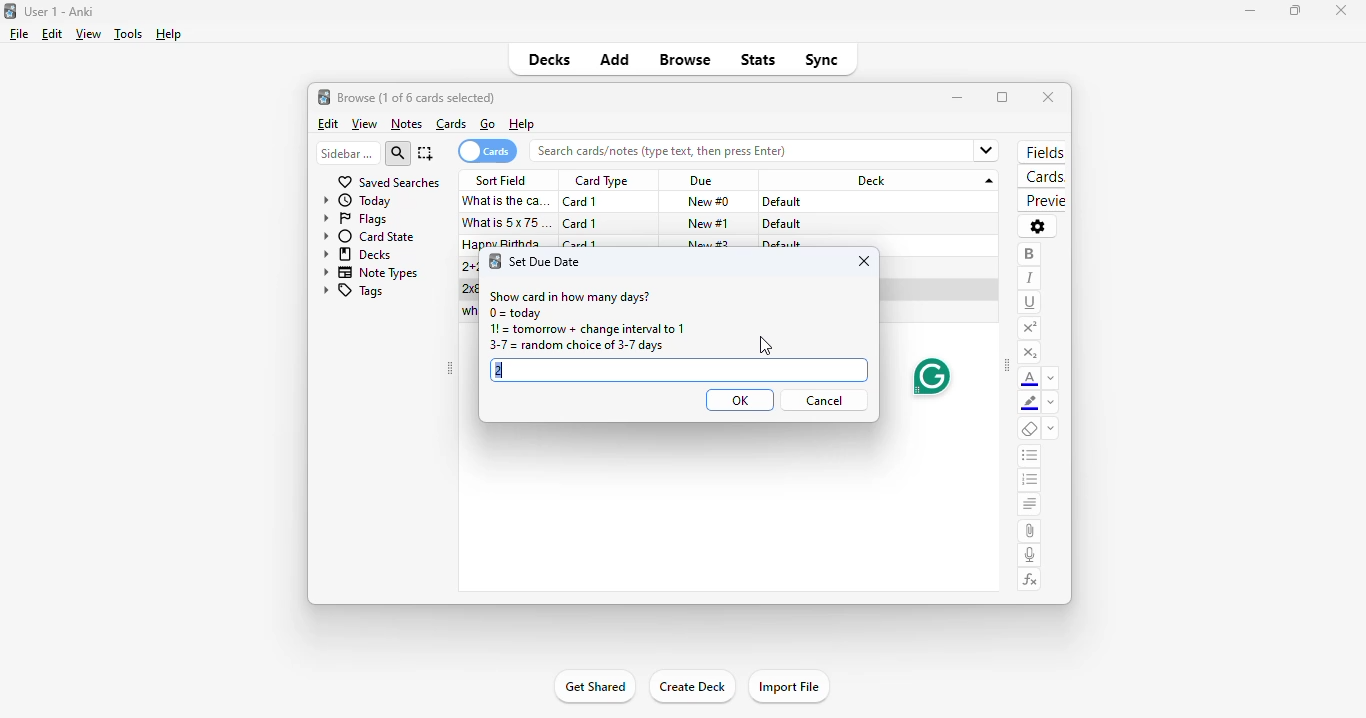 This screenshot has width=1366, height=718. I want to click on unordered list, so click(1030, 457).